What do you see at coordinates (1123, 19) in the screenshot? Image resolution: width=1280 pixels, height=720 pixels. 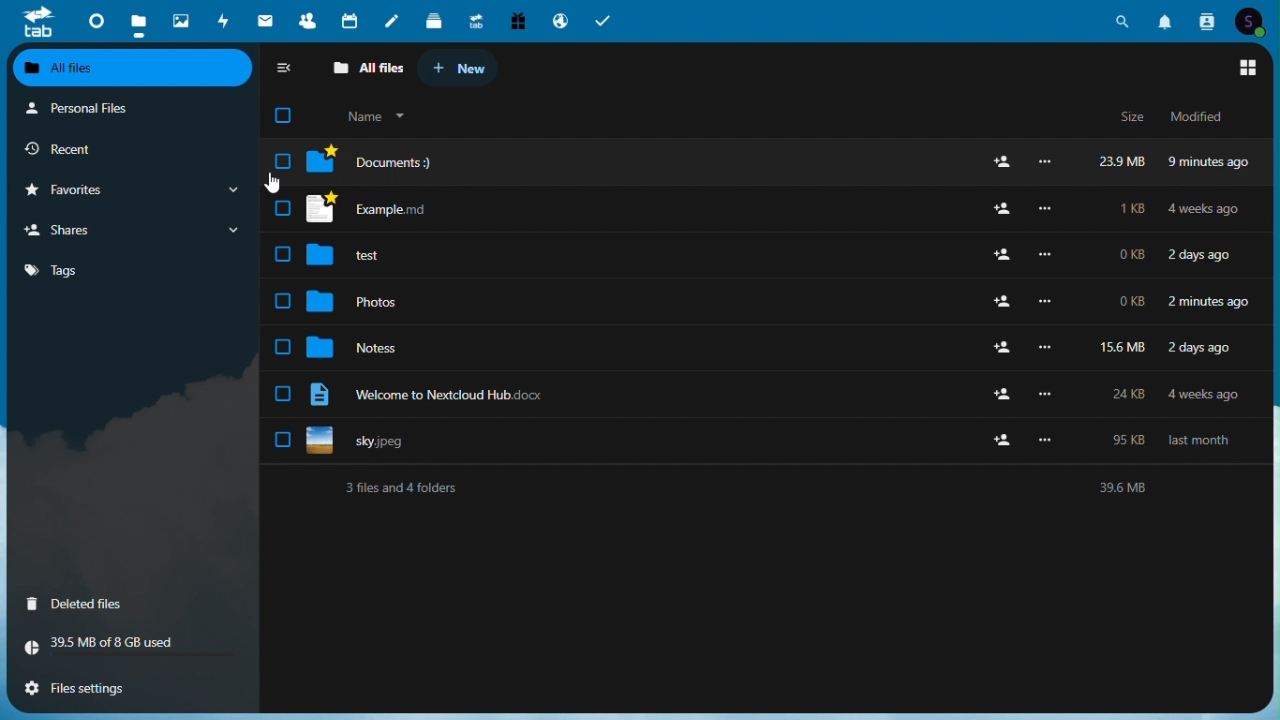 I see `search` at bounding box center [1123, 19].